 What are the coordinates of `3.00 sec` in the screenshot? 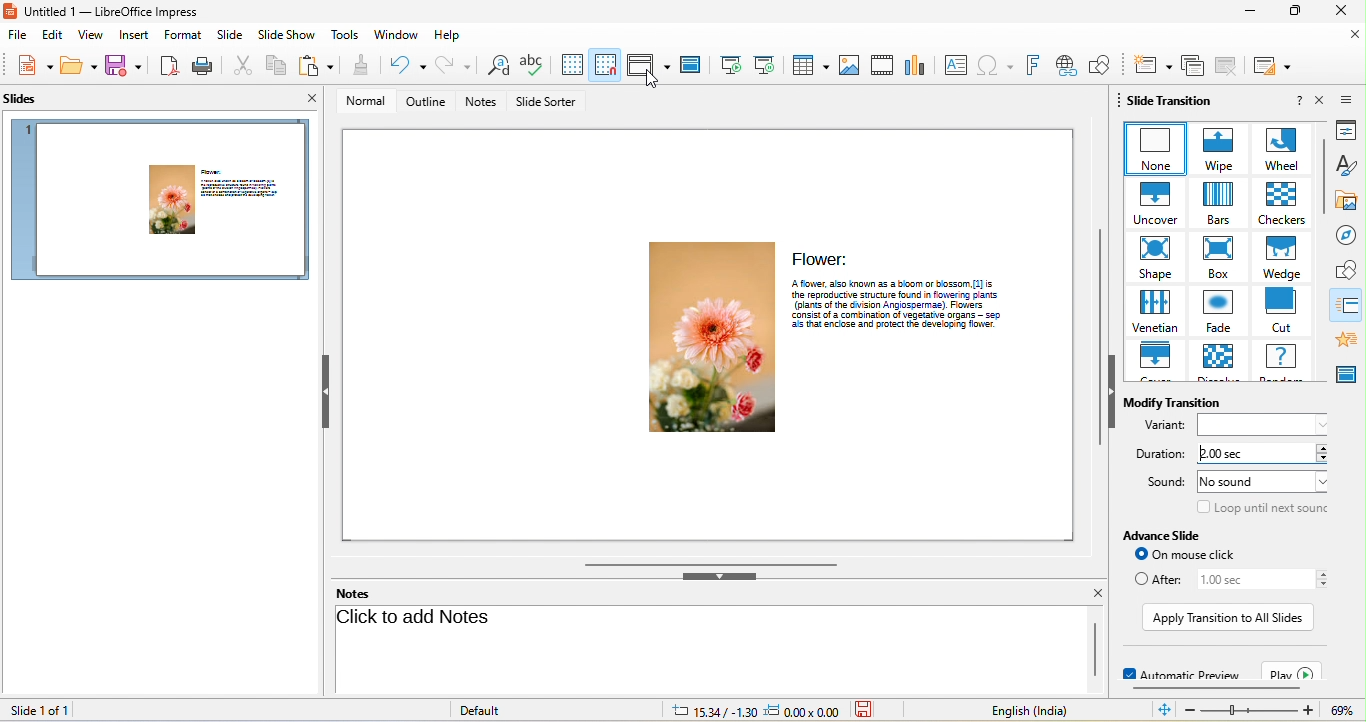 It's located at (1250, 455).